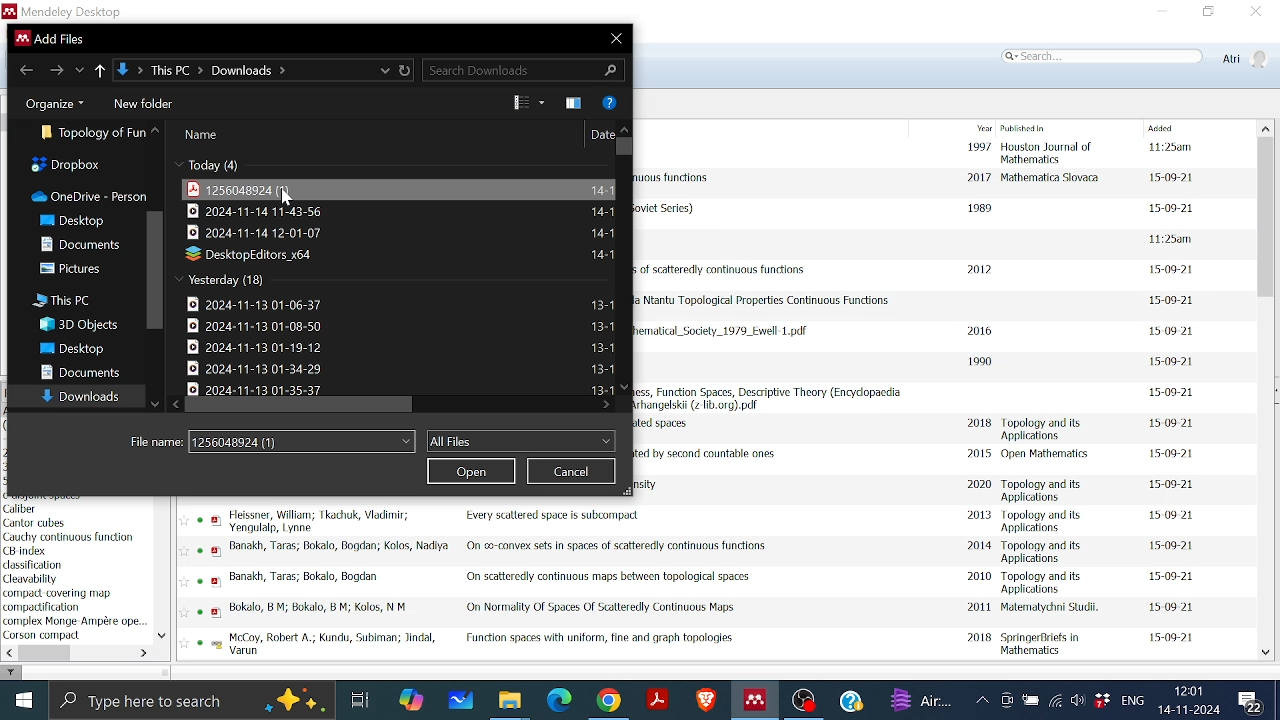  I want to click on File, so click(254, 328).